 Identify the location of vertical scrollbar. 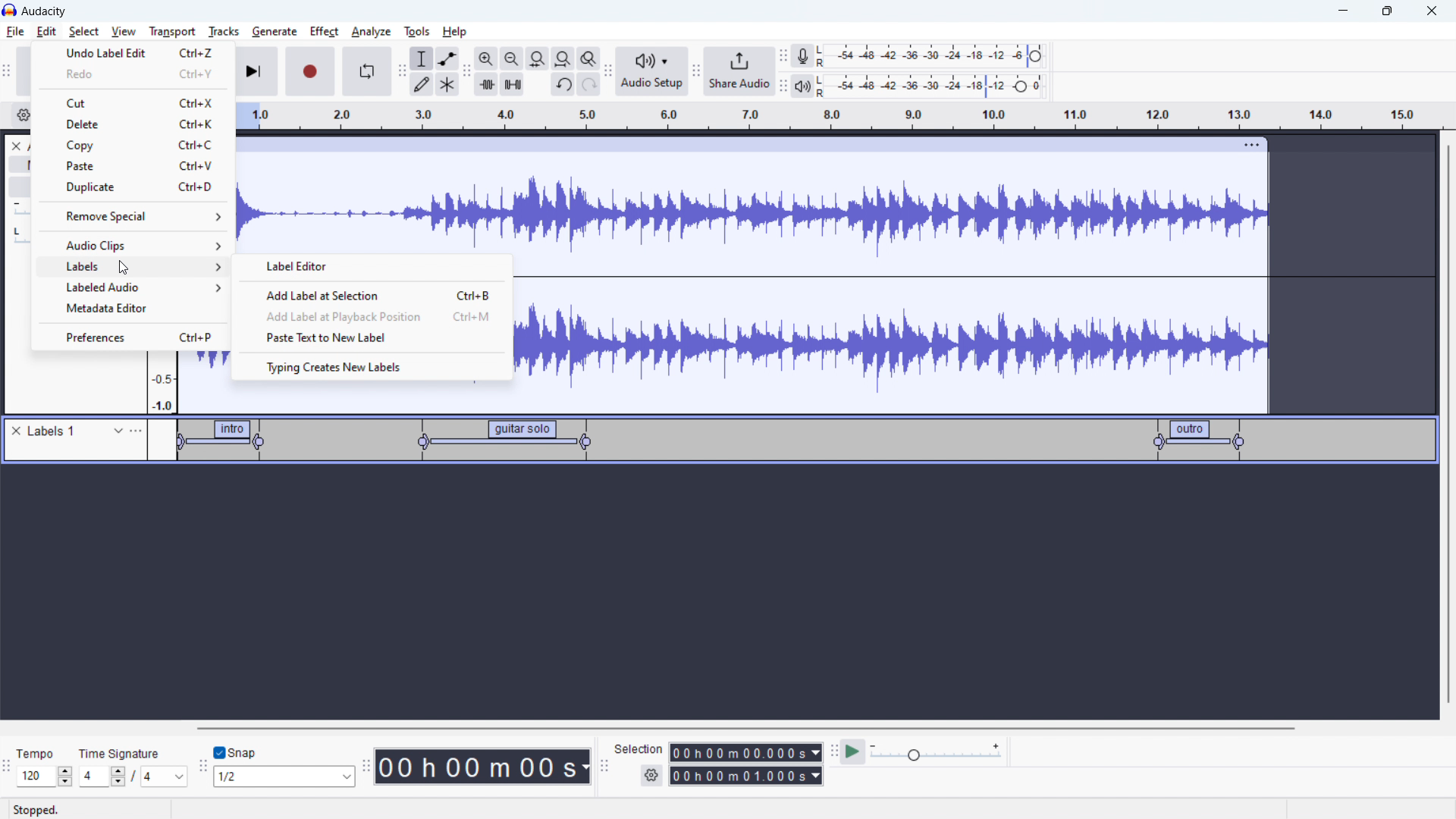
(1447, 426).